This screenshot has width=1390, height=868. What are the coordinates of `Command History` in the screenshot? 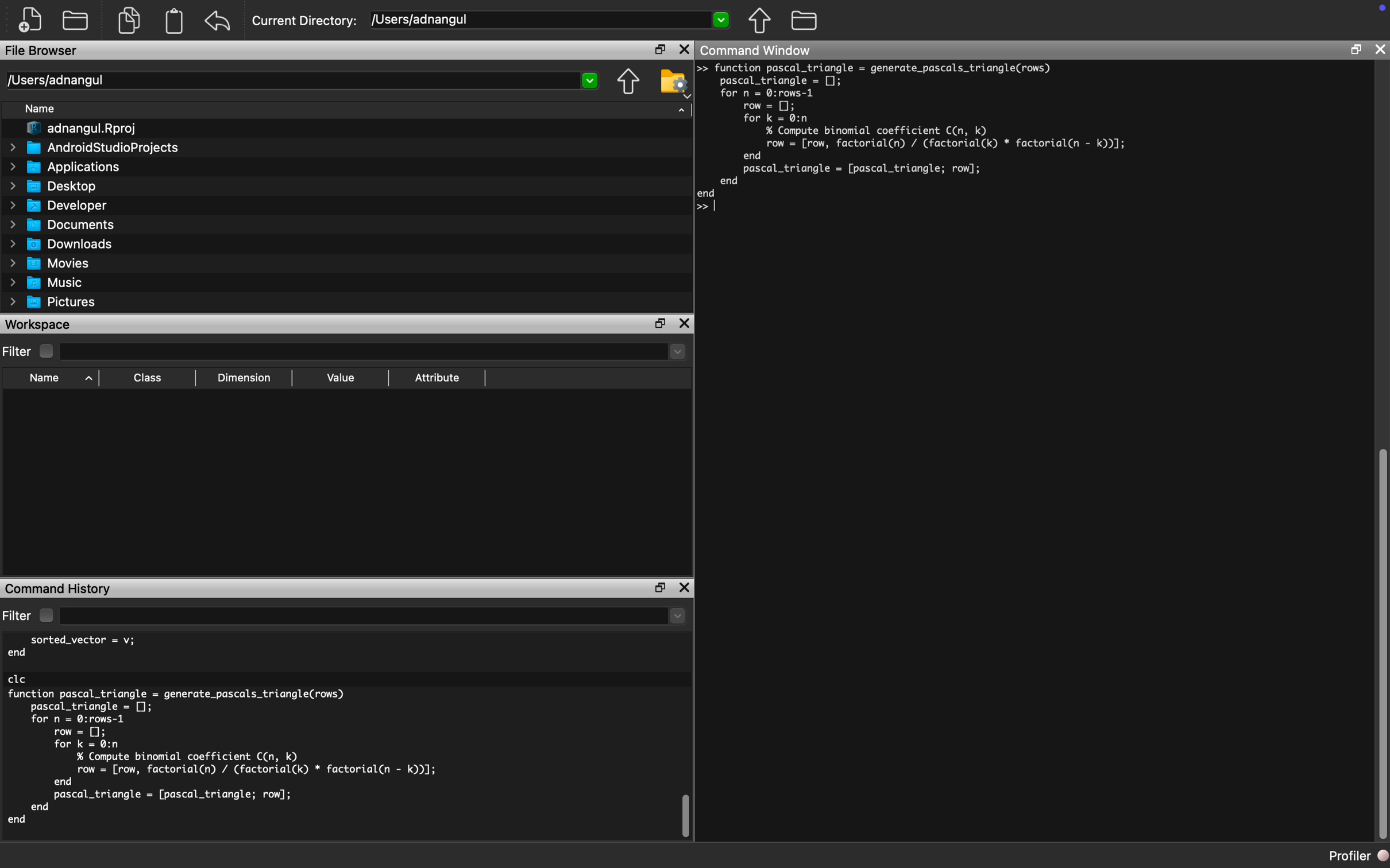 It's located at (60, 588).